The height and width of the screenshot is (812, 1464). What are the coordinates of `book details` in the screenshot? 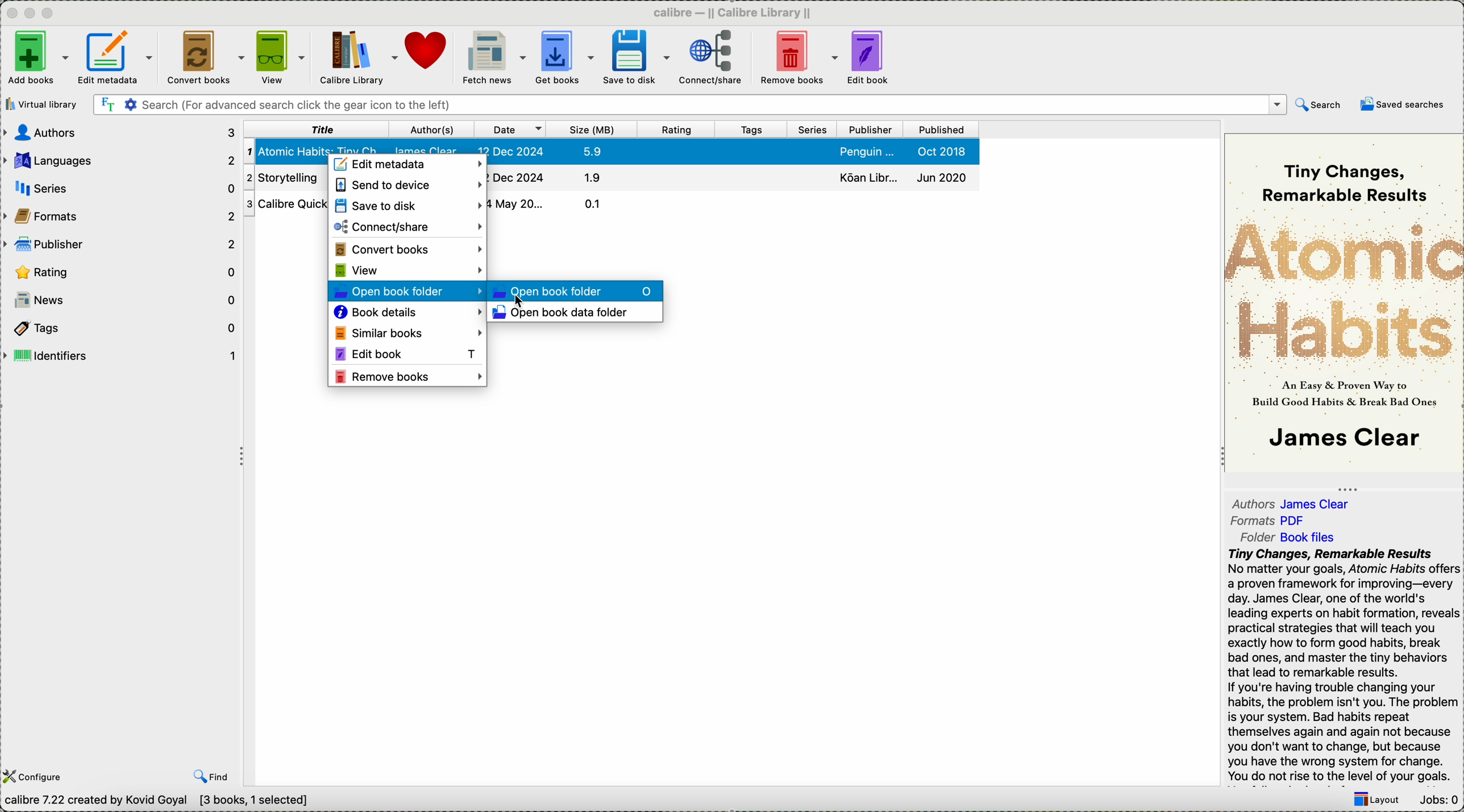 It's located at (407, 313).